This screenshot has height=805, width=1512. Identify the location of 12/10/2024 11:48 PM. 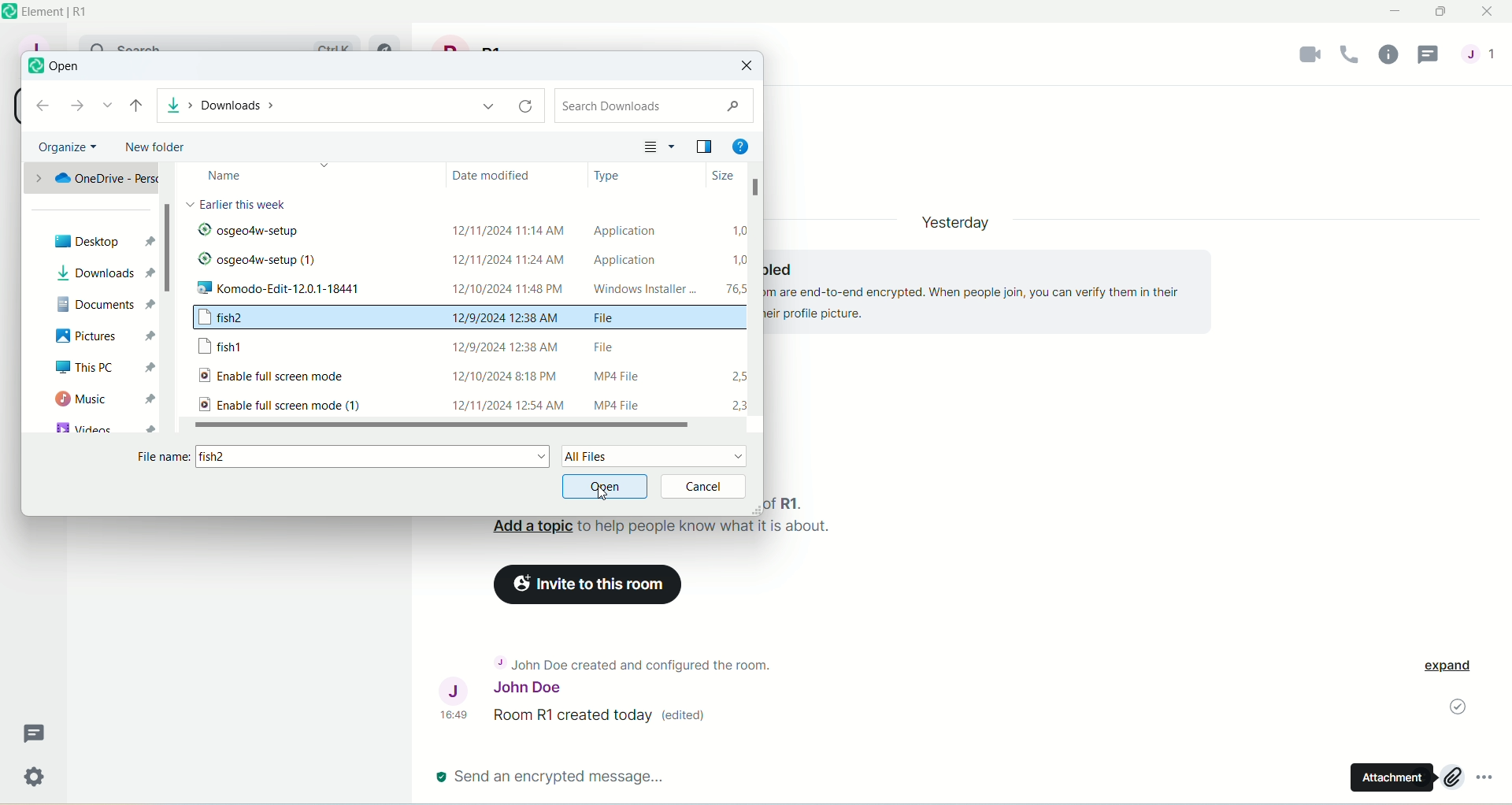
(514, 287).